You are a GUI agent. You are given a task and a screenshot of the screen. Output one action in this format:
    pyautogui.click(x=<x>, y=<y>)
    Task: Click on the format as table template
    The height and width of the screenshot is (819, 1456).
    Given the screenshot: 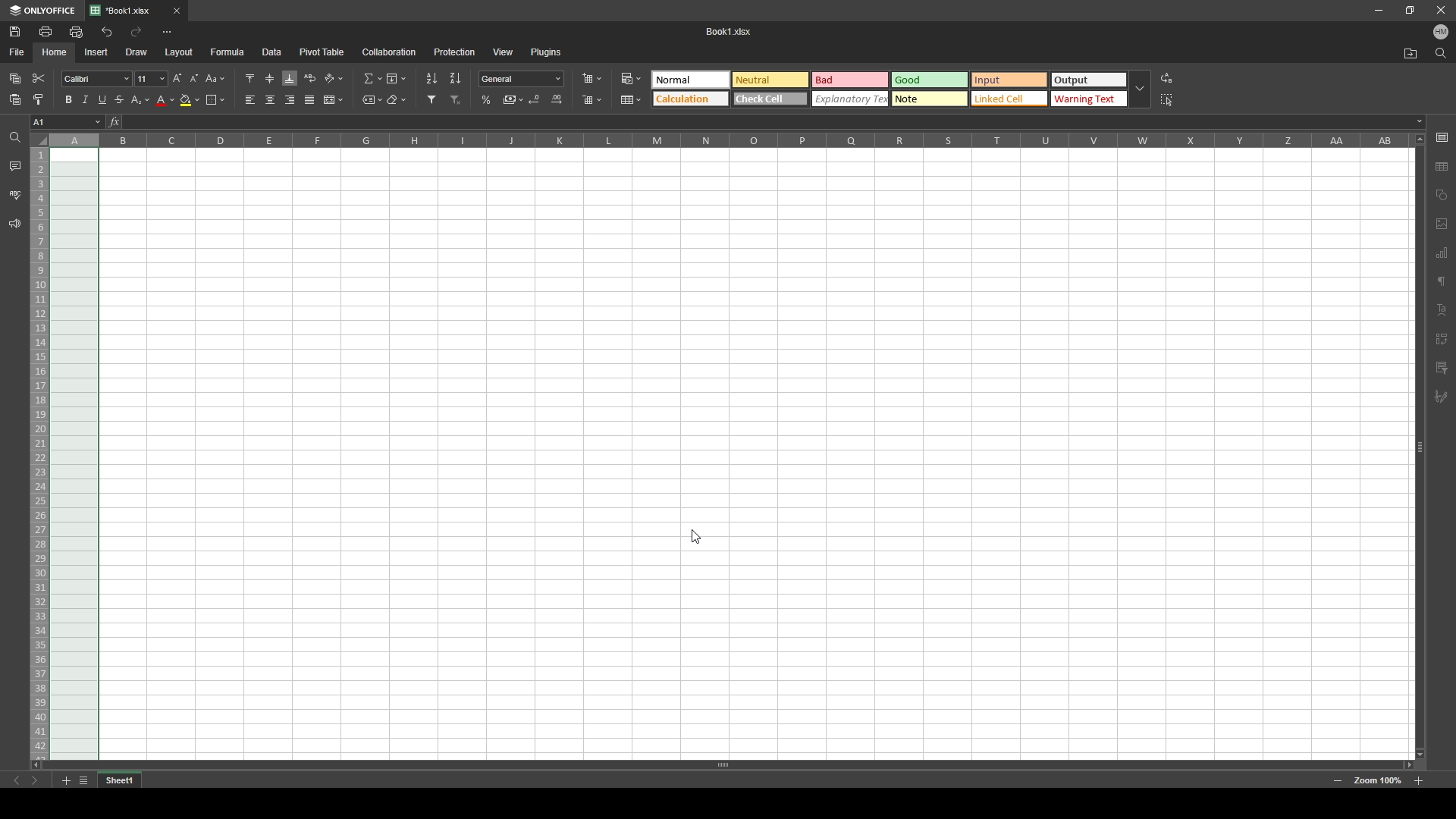 What is the action you would take?
    pyautogui.click(x=632, y=100)
    